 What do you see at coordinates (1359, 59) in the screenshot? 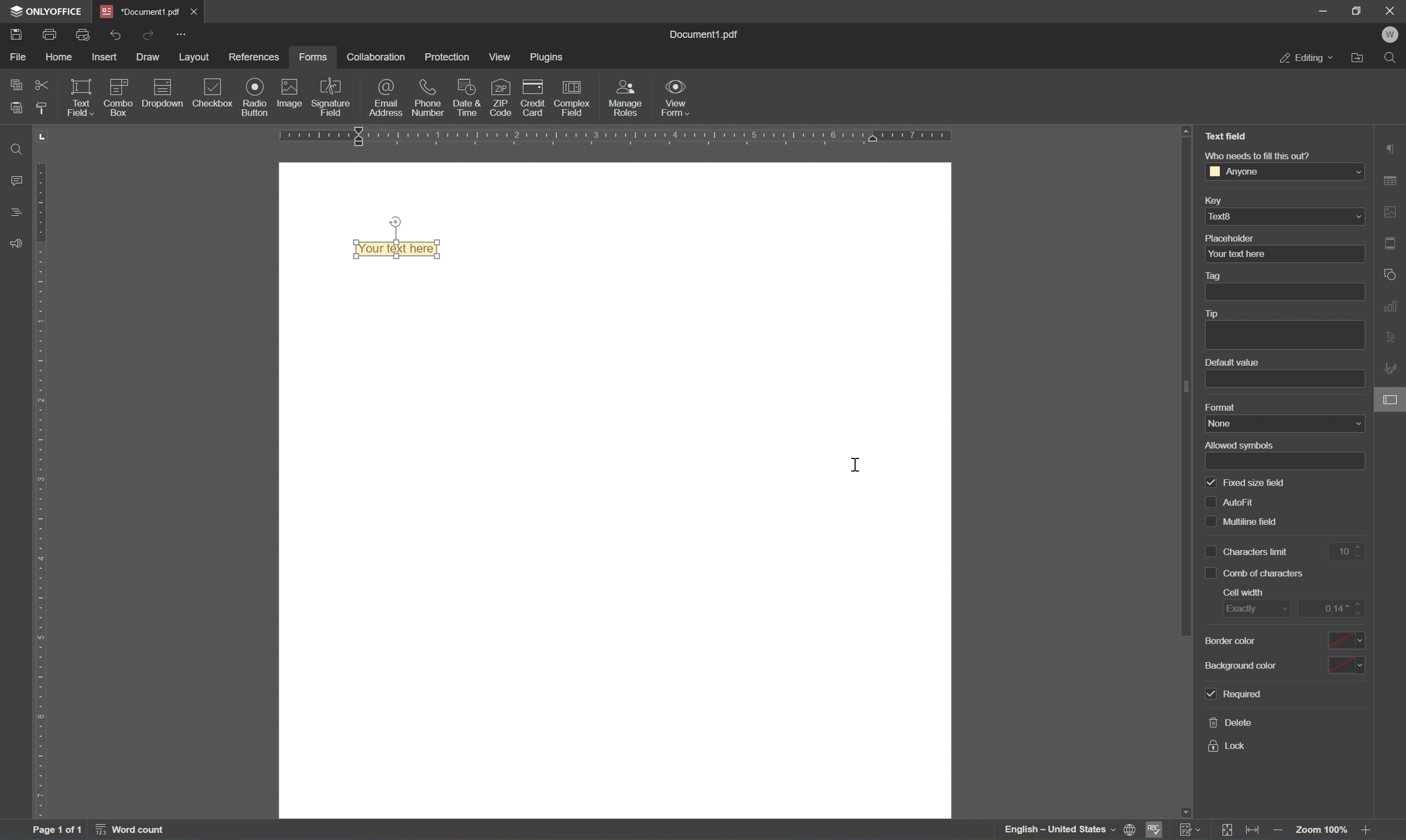
I see `open file location` at bounding box center [1359, 59].